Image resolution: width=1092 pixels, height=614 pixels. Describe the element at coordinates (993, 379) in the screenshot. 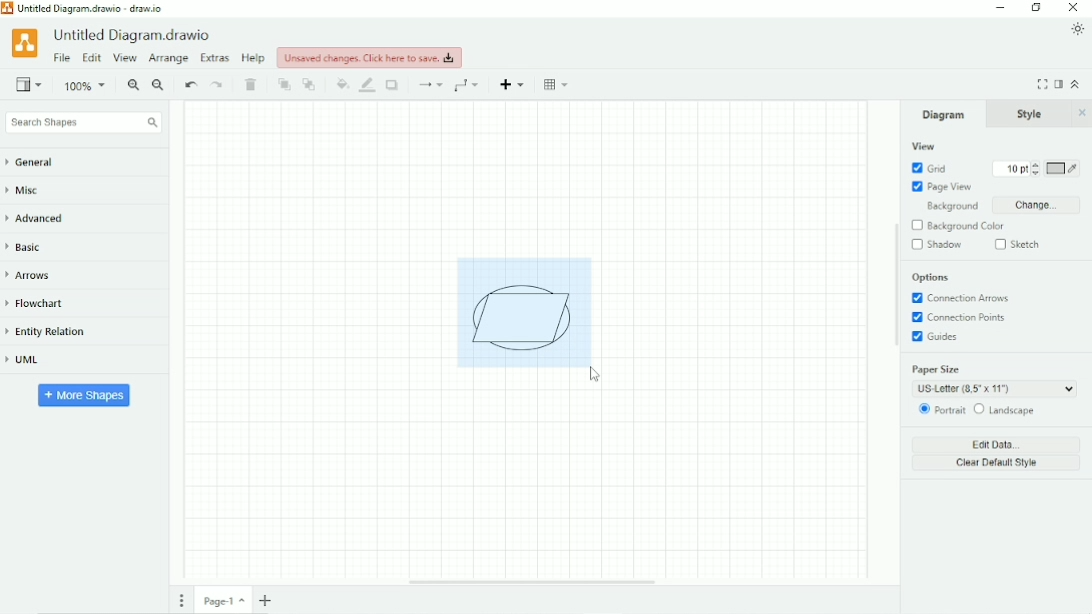

I see `Paper size` at that location.